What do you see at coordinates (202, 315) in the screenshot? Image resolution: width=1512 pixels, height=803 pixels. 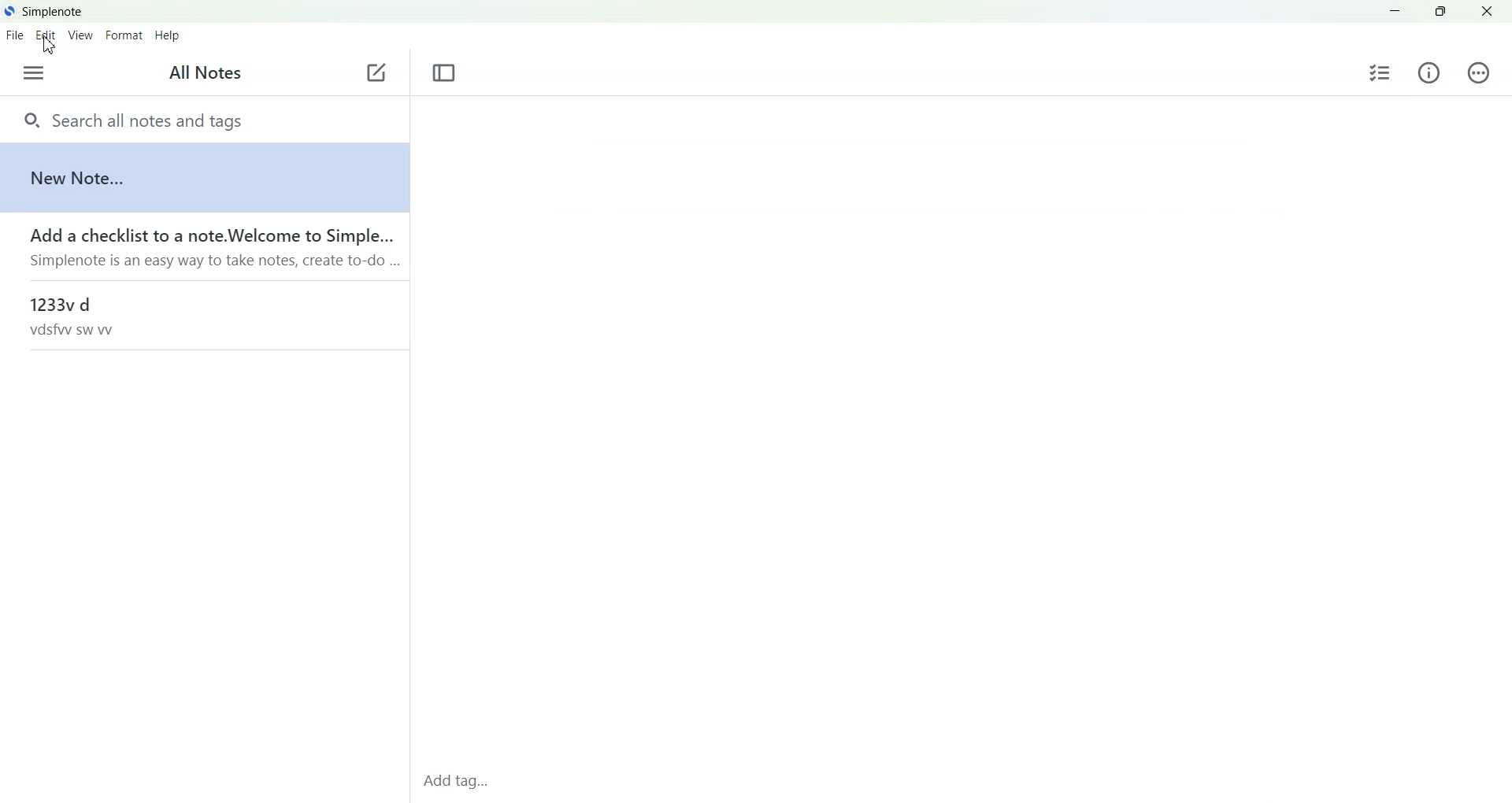 I see `1233v d` at bounding box center [202, 315].